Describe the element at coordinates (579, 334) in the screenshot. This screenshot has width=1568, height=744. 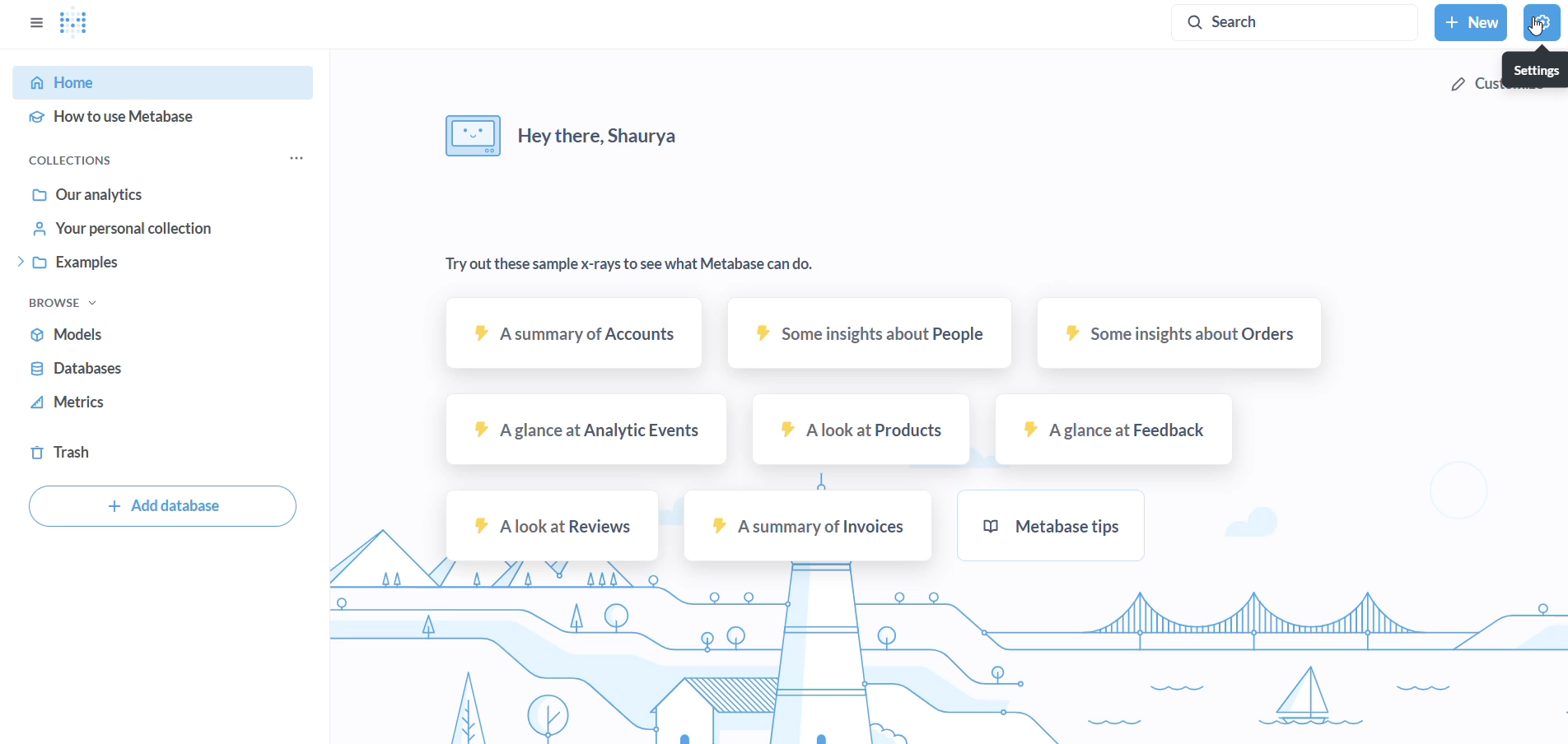
I see `% Asummary of Accounts` at that location.